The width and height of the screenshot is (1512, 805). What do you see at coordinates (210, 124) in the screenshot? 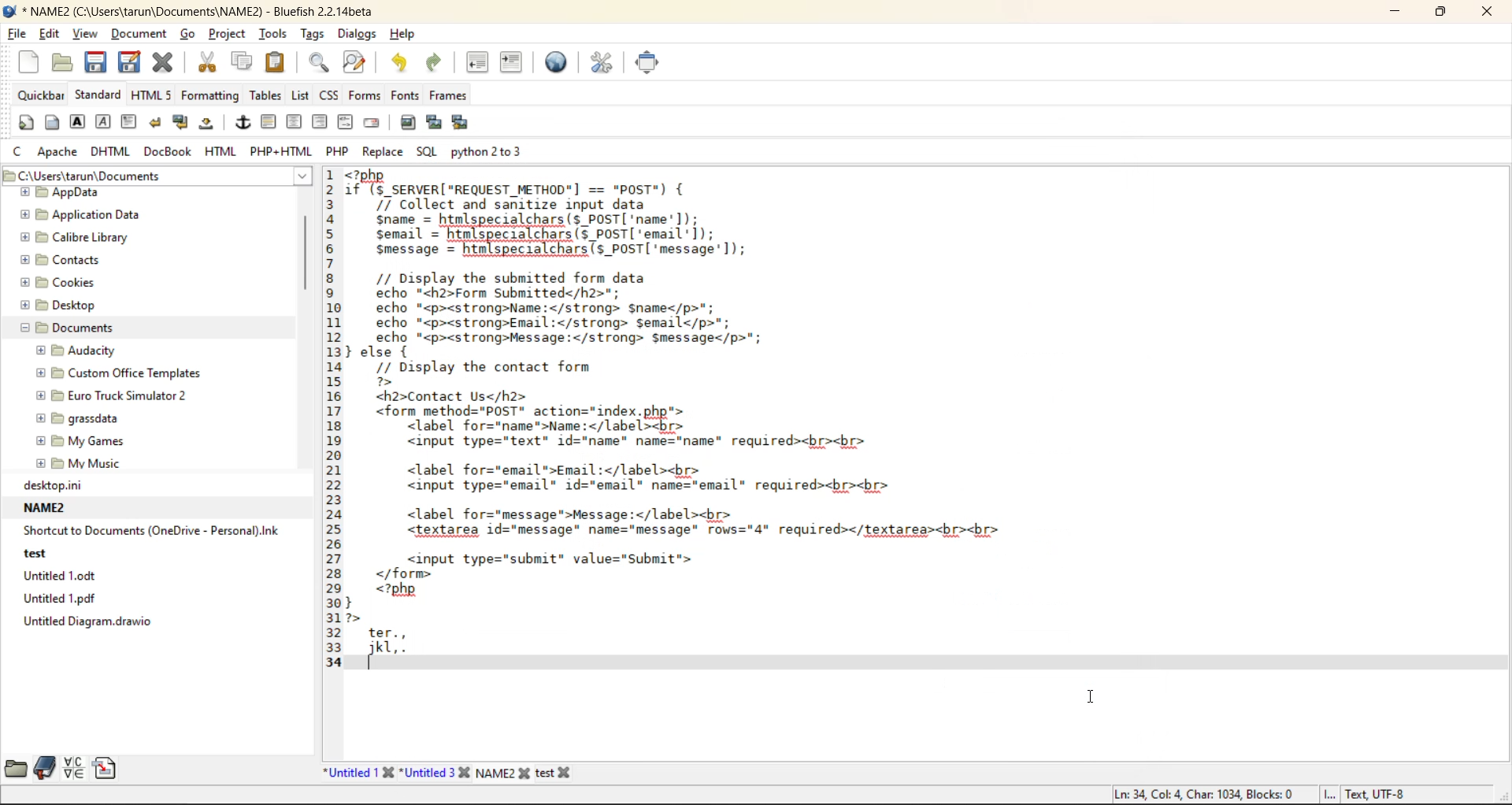
I see `non breaking space` at bounding box center [210, 124].